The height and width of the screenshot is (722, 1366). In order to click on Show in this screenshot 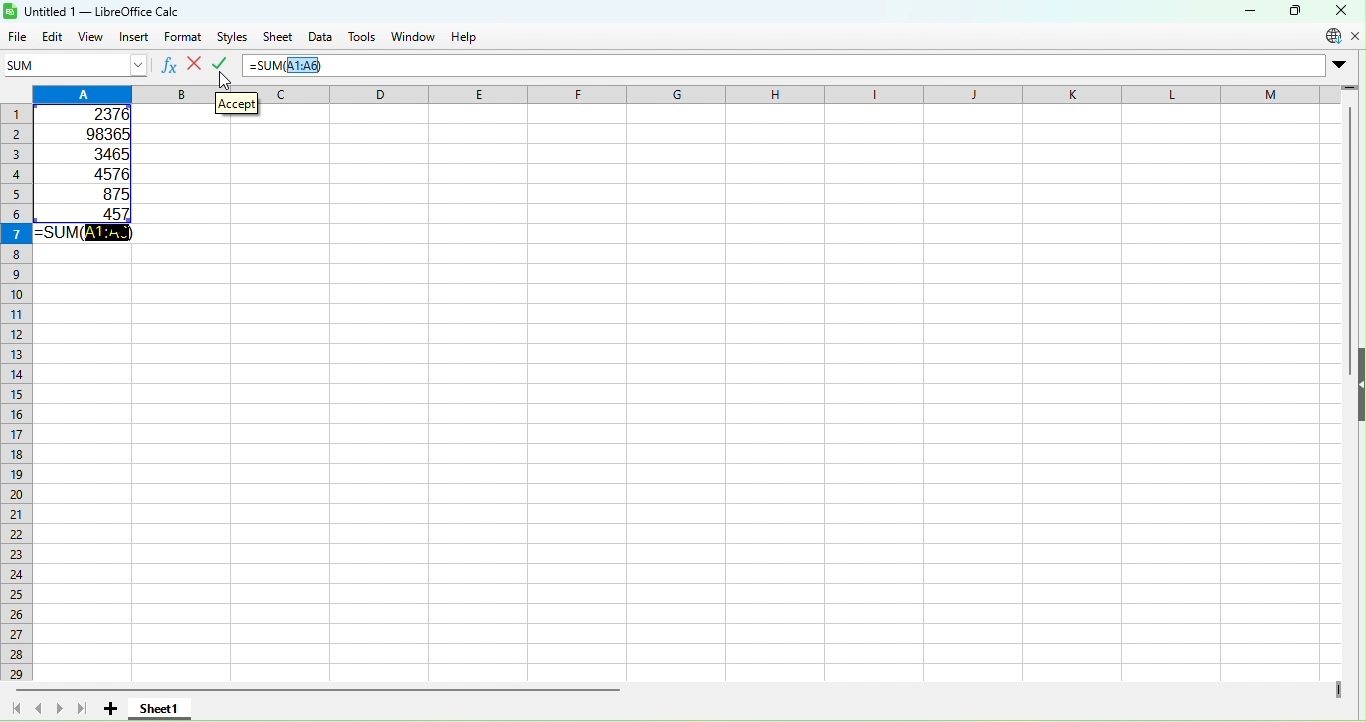, I will do `click(1359, 384)`.